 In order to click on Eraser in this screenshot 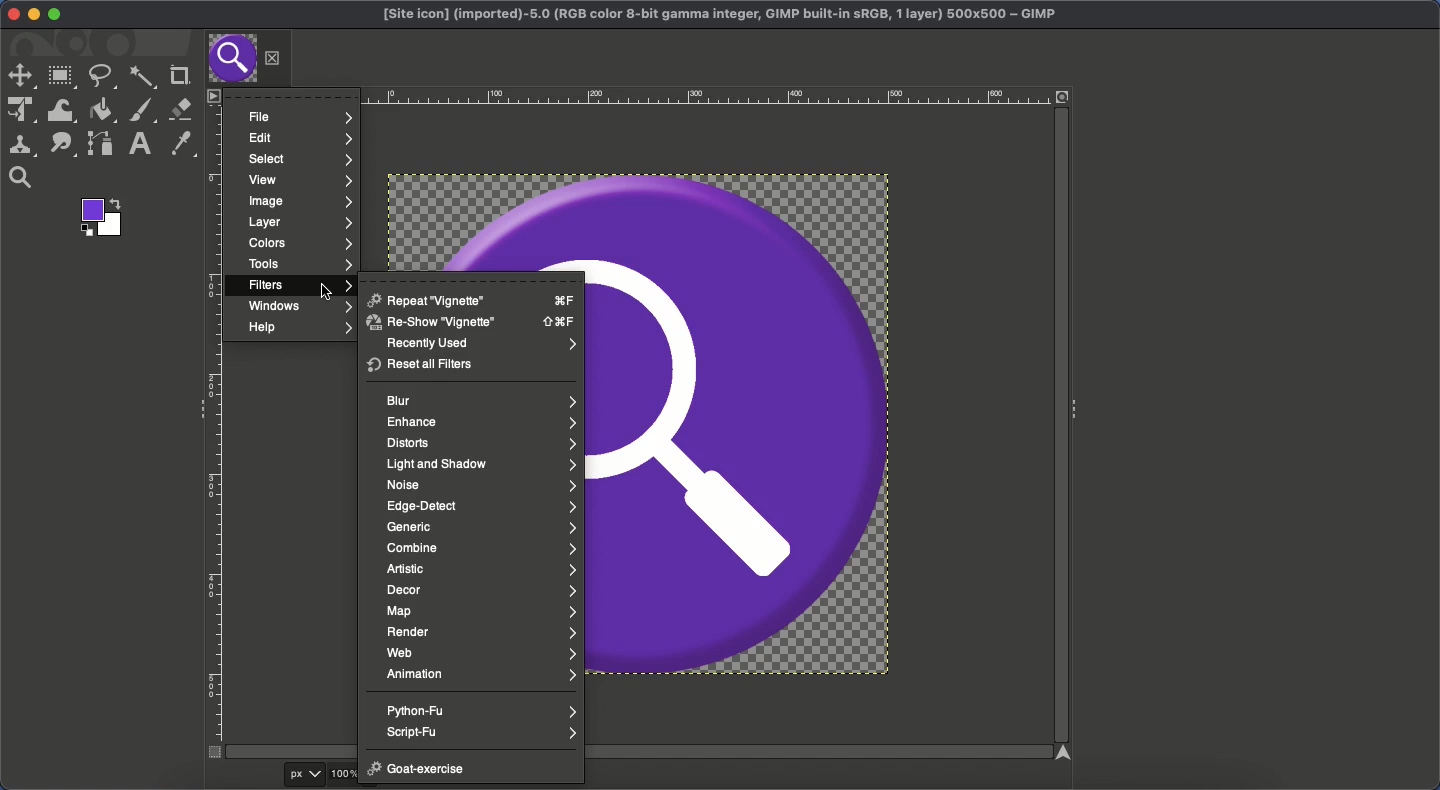, I will do `click(181, 110)`.